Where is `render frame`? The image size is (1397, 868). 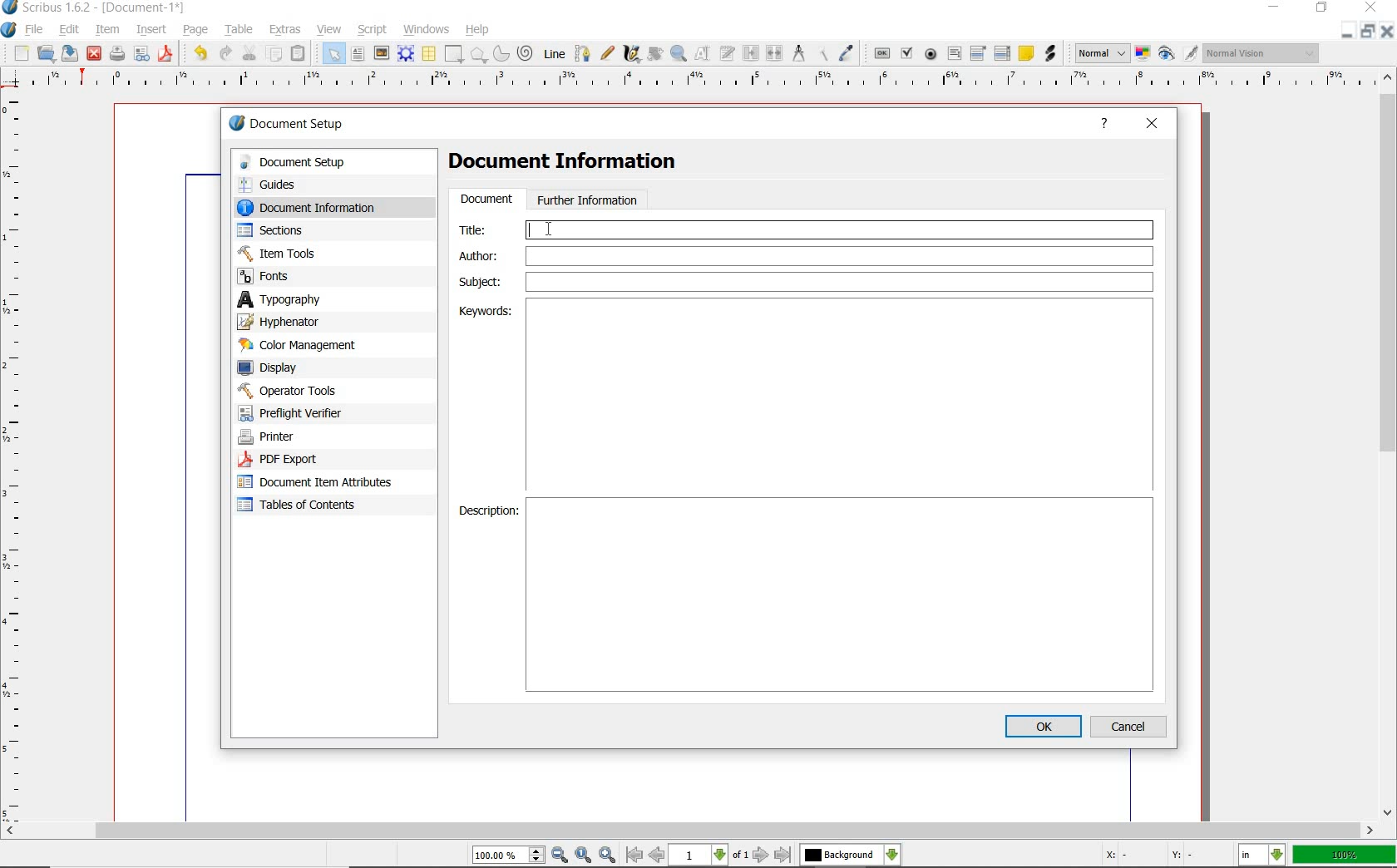
render frame is located at coordinates (406, 54).